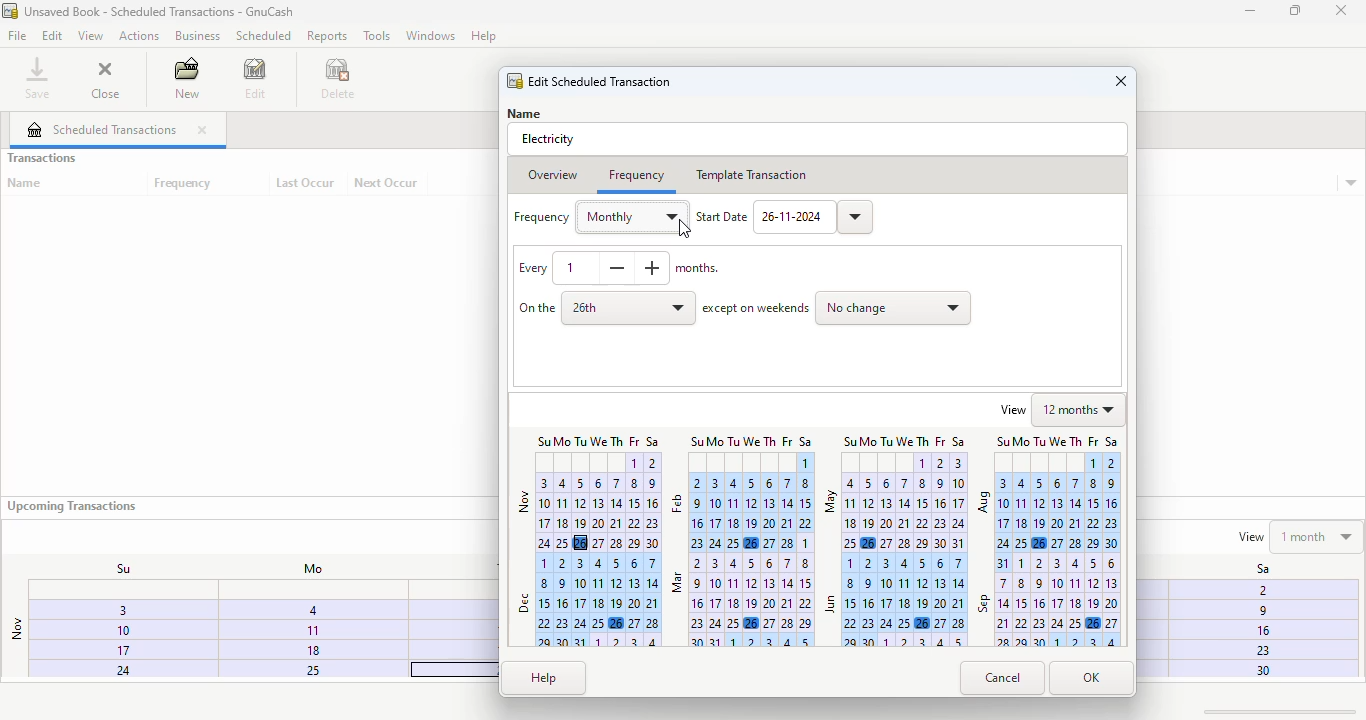 This screenshot has height=720, width=1366. What do you see at coordinates (25, 183) in the screenshot?
I see `name` at bounding box center [25, 183].